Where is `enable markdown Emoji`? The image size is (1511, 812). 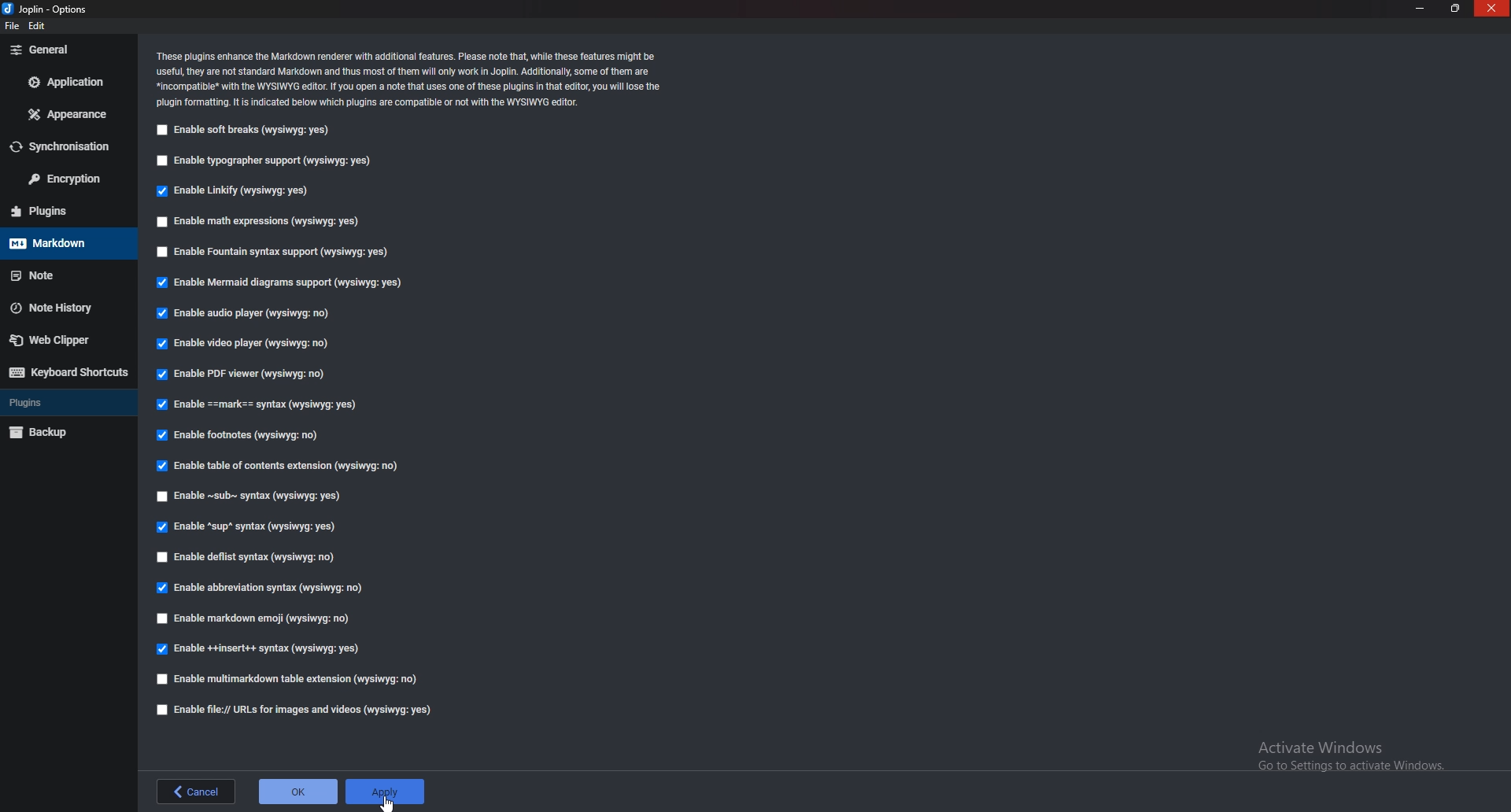
enable markdown Emoji is located at coordinates (254, 620).